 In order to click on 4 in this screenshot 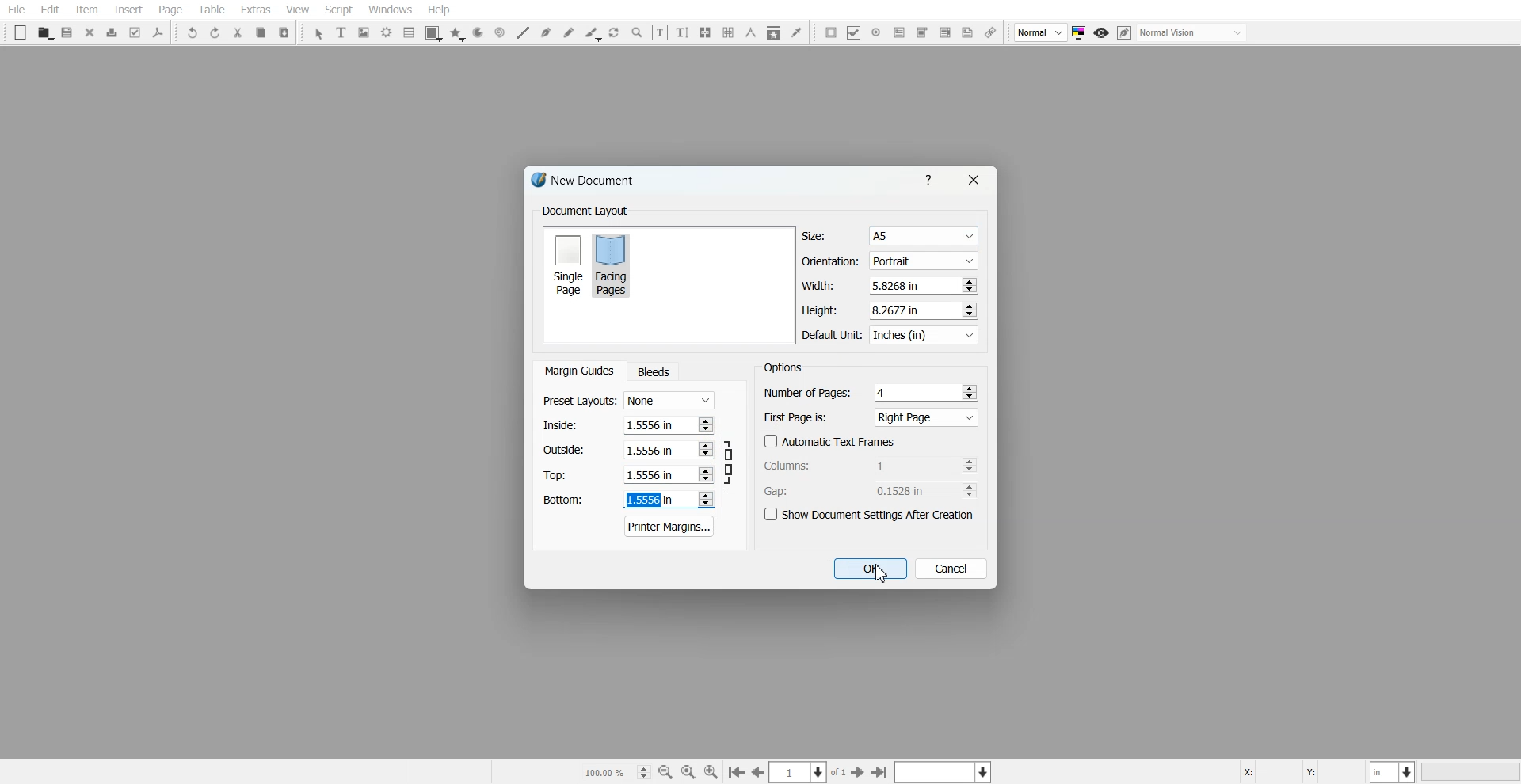, I will do `click(883, 392)`.